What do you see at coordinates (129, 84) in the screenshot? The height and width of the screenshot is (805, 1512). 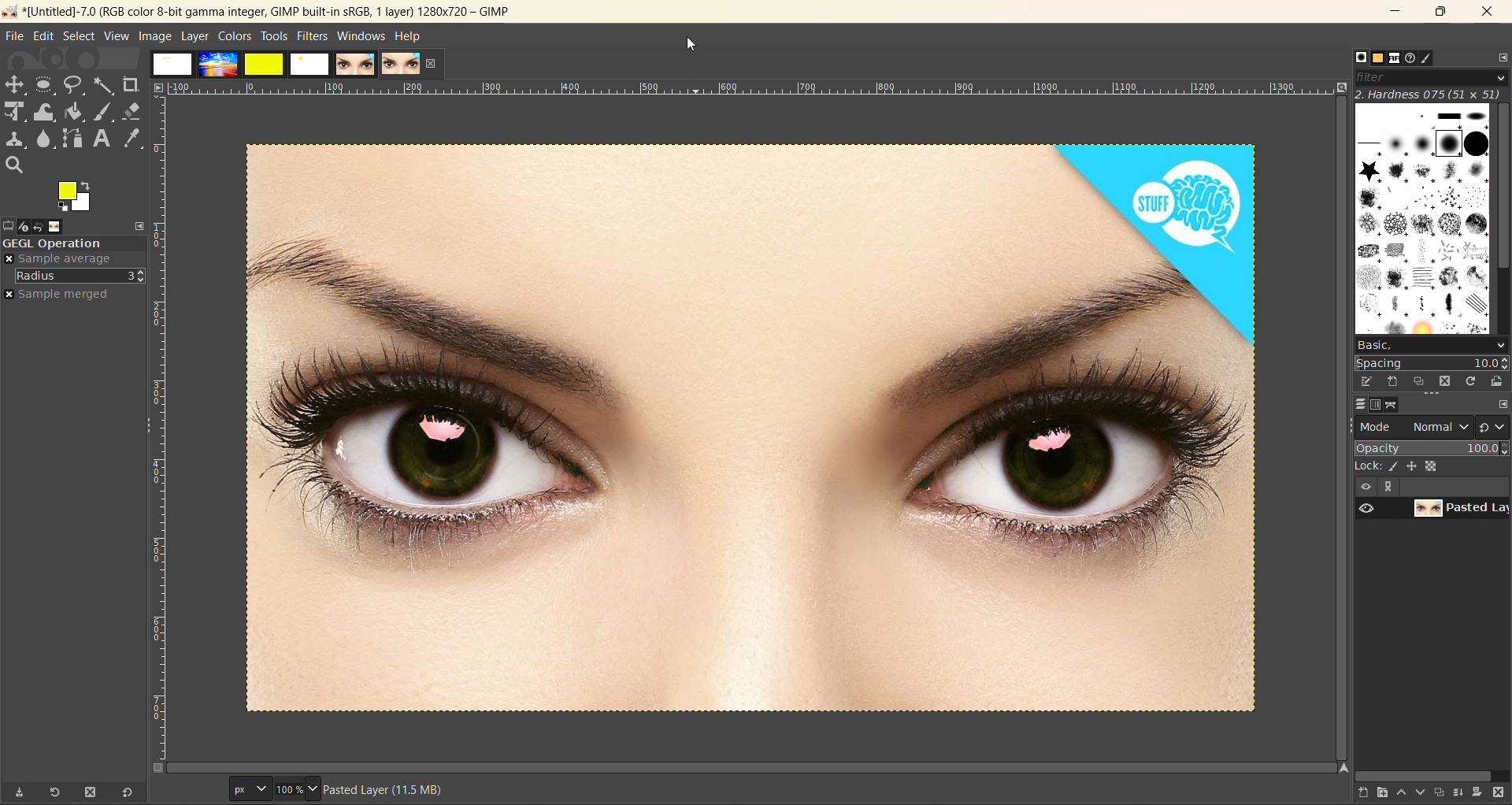 I see `crope` at bounding box center [129, 84].